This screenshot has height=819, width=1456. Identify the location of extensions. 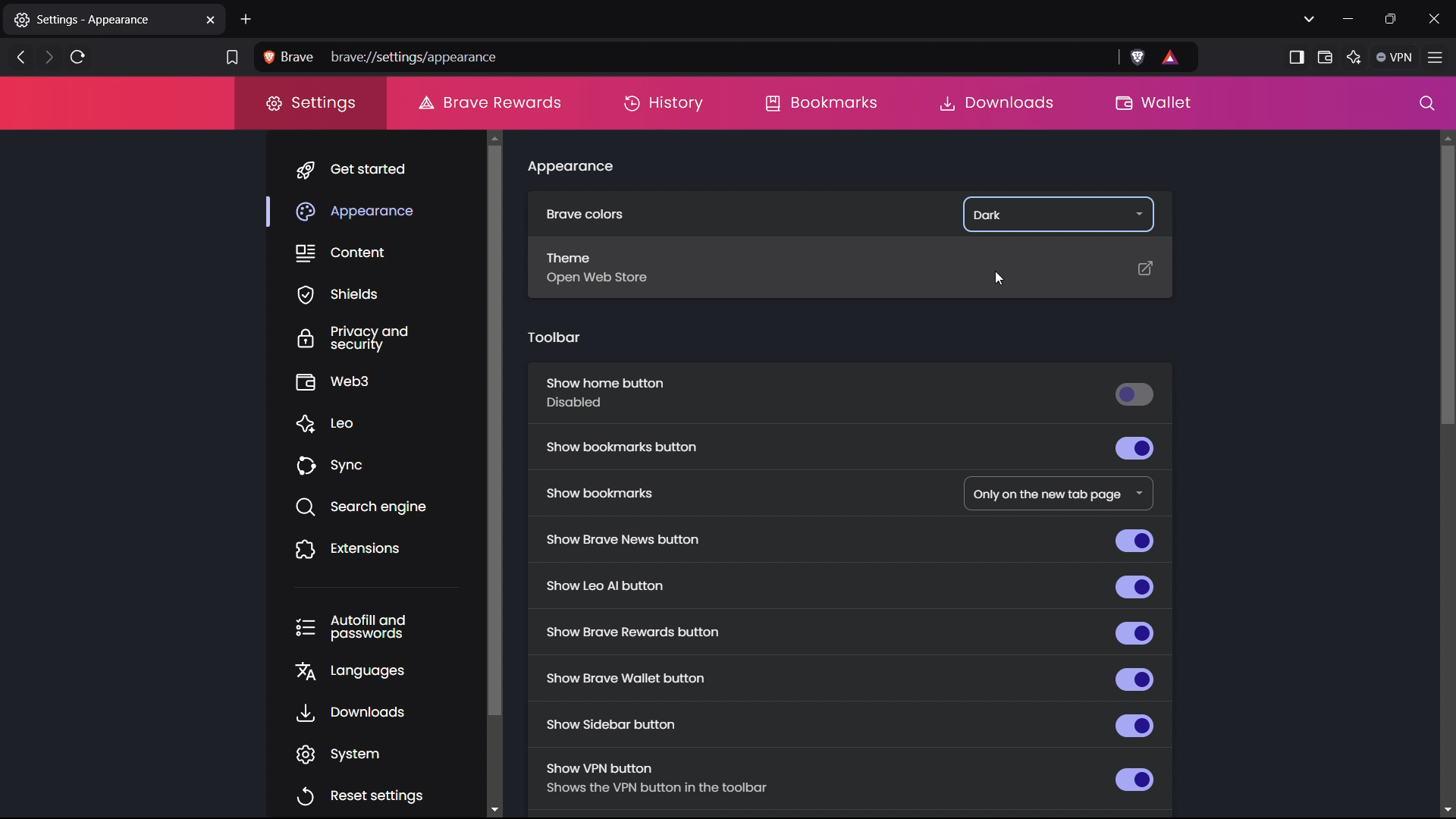
(386, 546).